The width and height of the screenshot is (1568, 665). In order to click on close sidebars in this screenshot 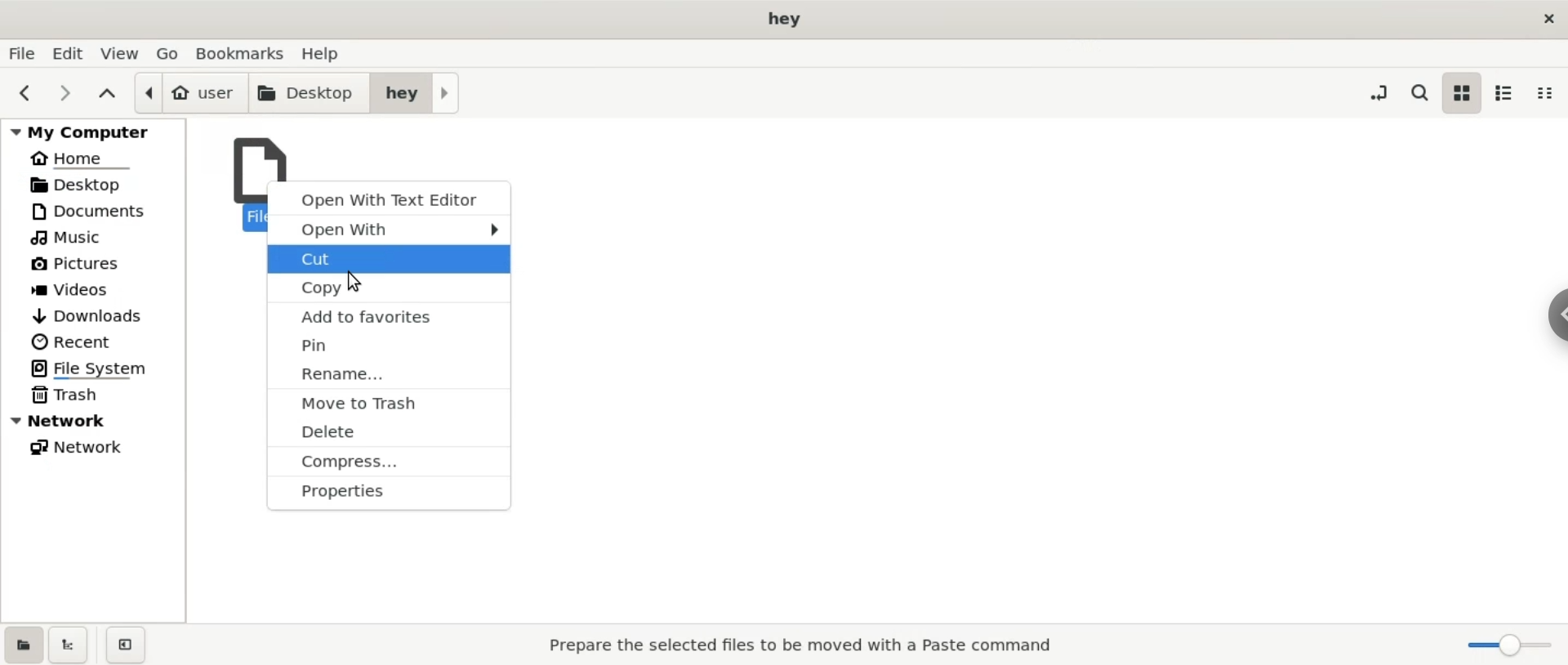, I will do `click(125, 645)`.